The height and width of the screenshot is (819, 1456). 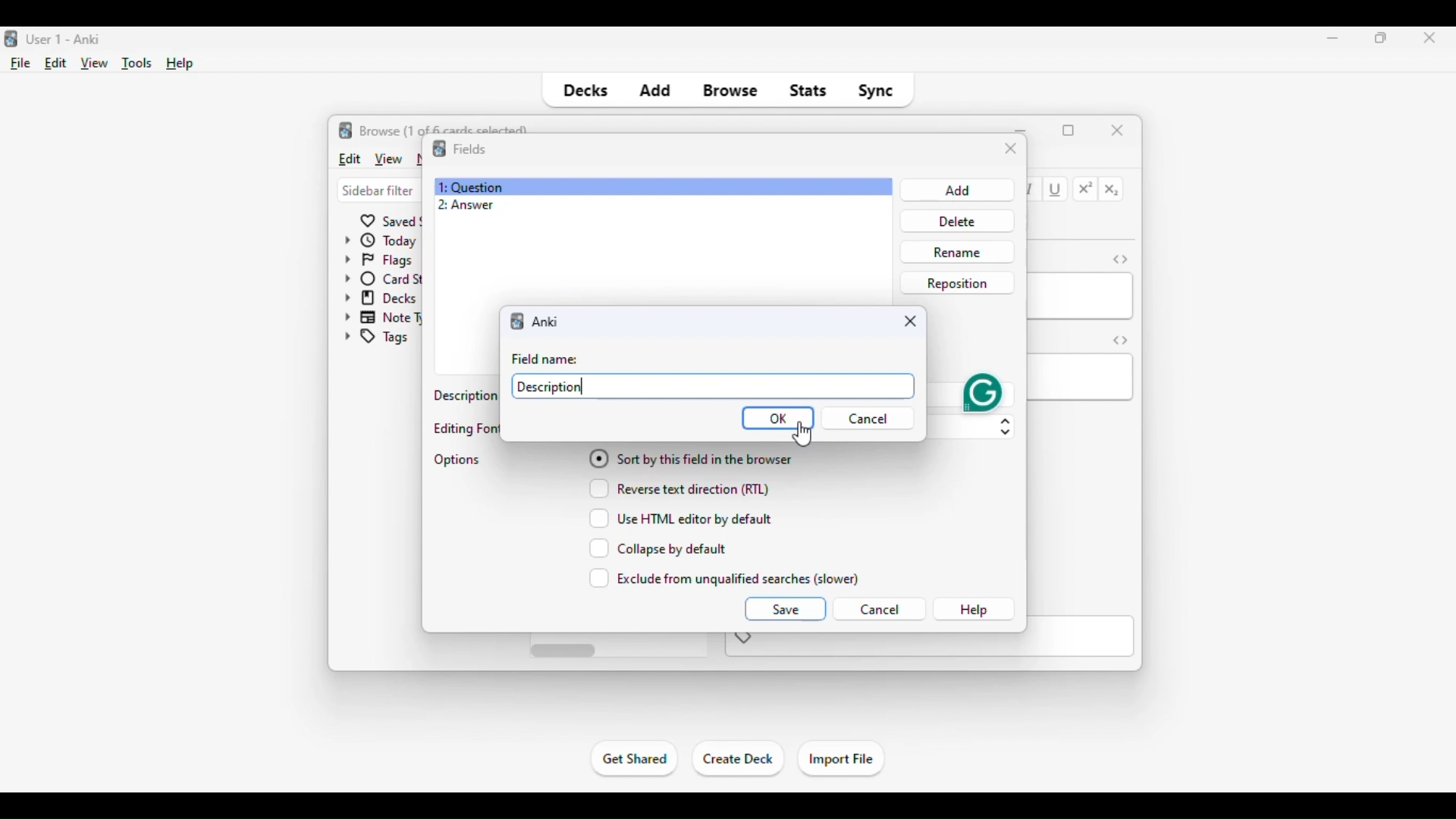 I want to click on subscript, so click(x=1112, y=190).